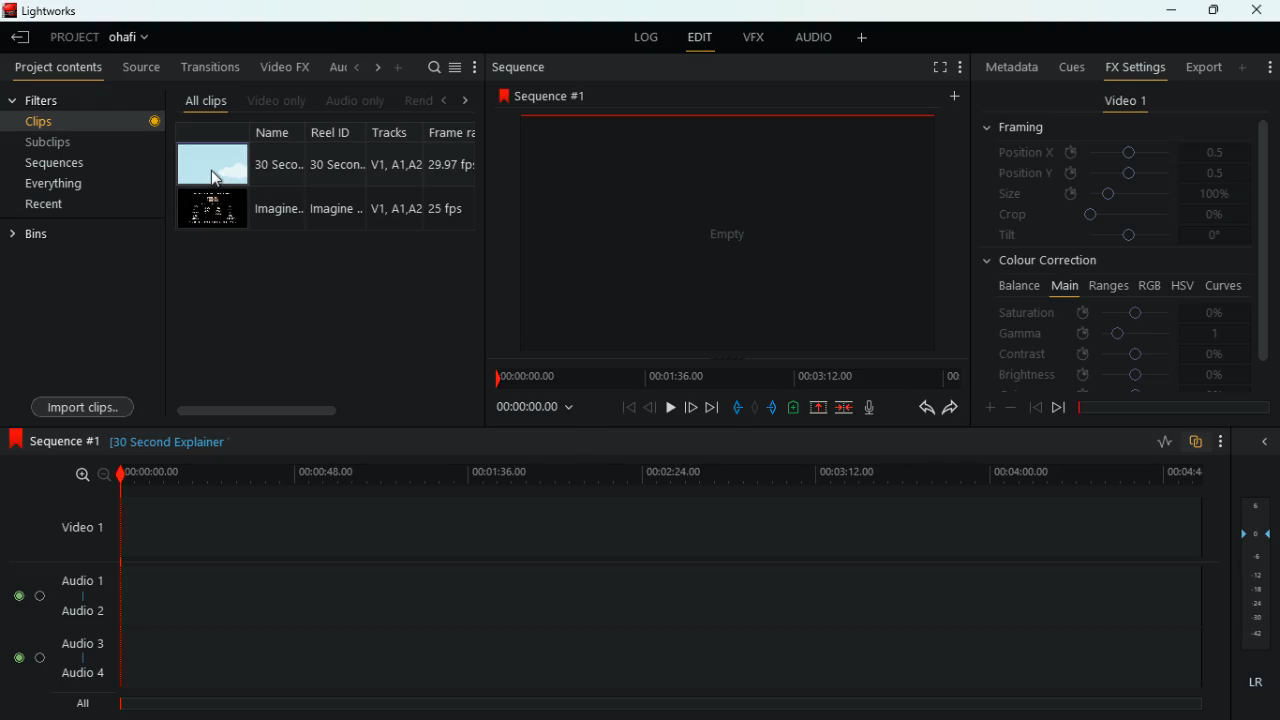 Image resolution: width=1280 pixels, height=720 pixels. I want to click on bins, so click(39, 235).